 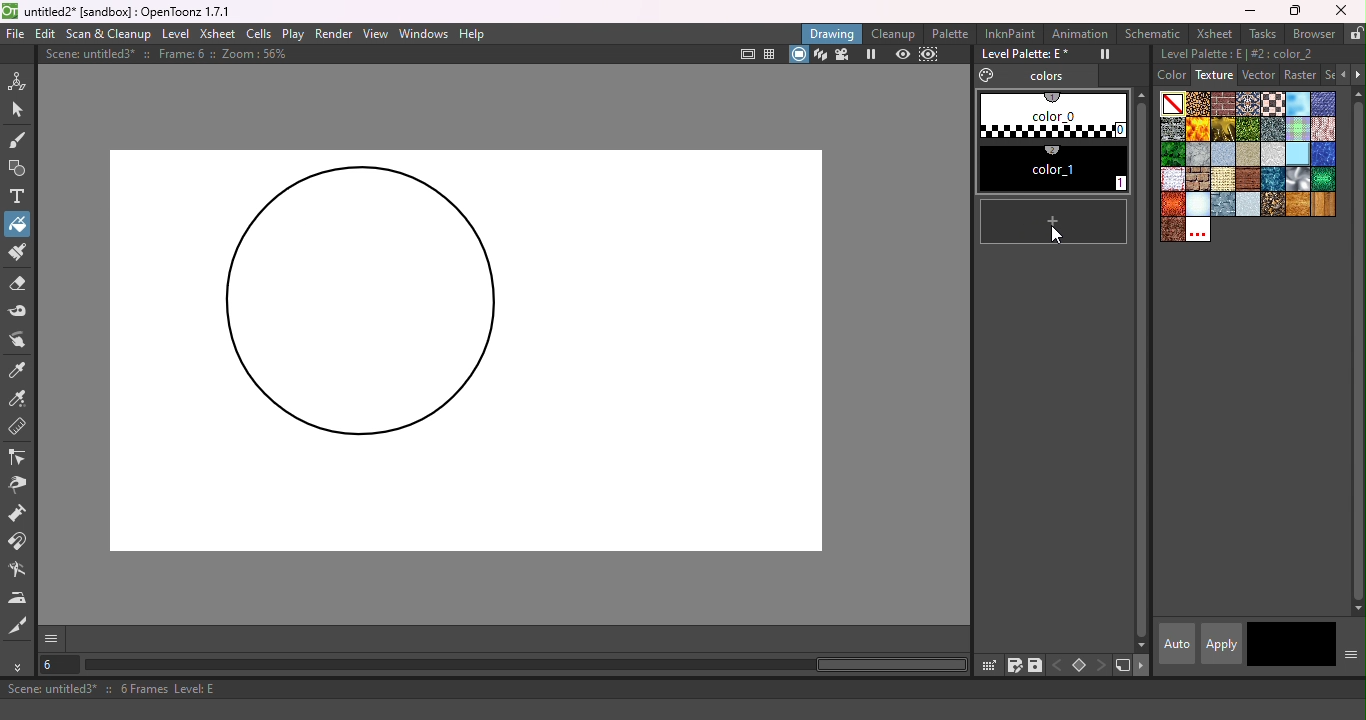 What do you see at coordinates (1172, 129) in the screenshot?
I see `Drystonewall.bmp` at bounding box center [1172, 129].